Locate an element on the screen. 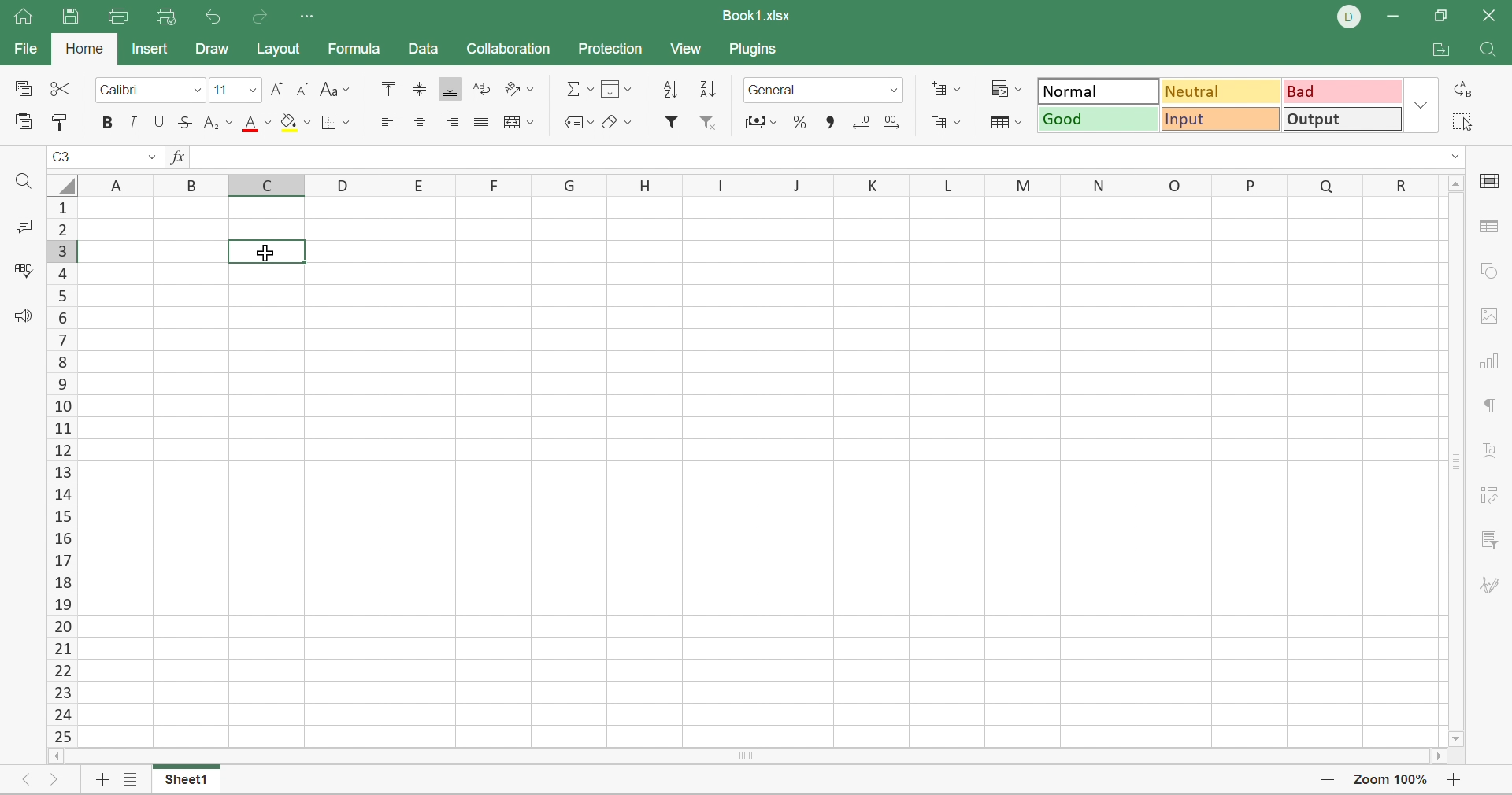 This screenshot has height=795, width=1512. Insert is located at coordinates (154, 51).